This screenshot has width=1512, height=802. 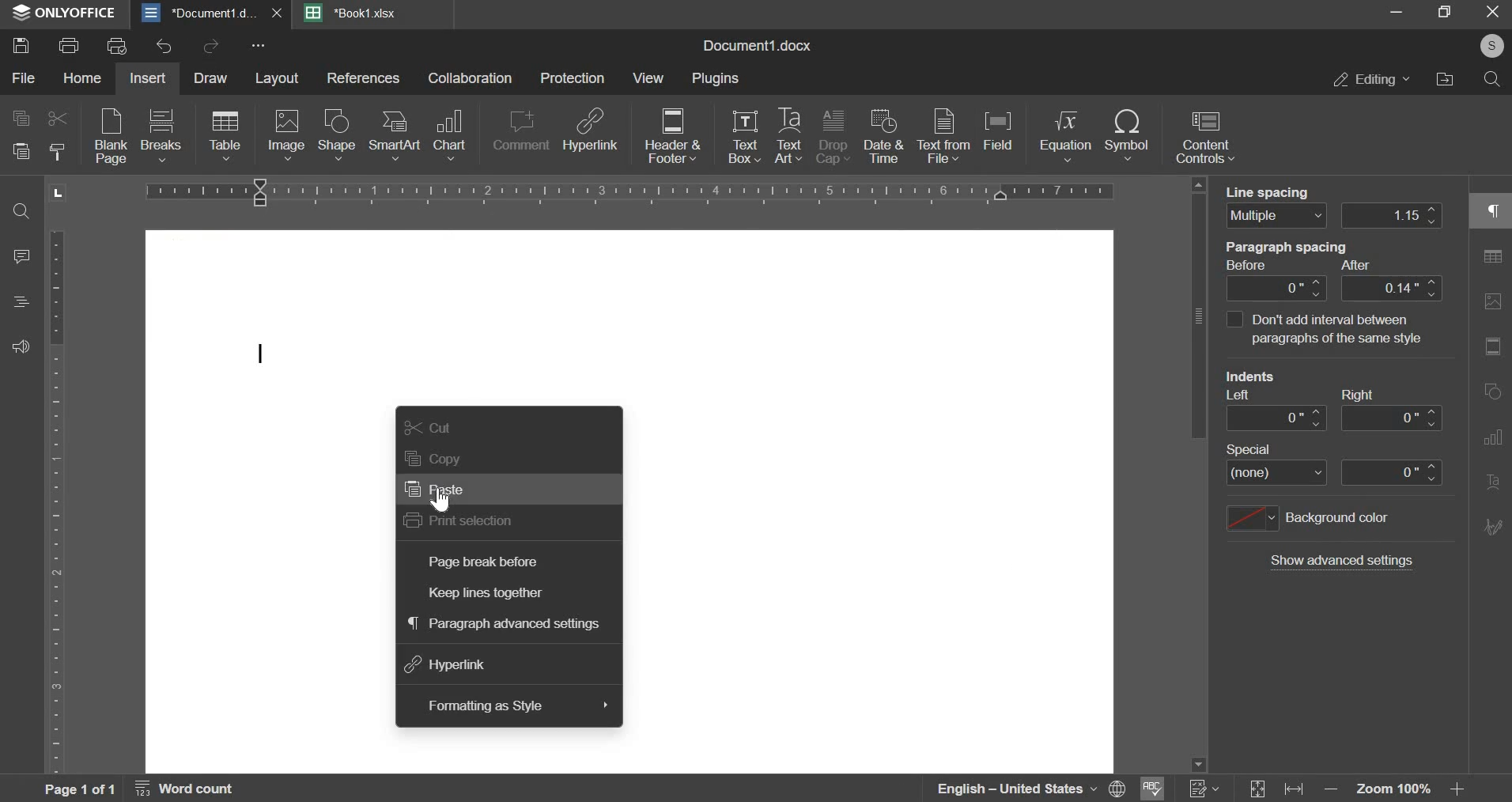 I want to click on smart art, so click(x=394, y=138).